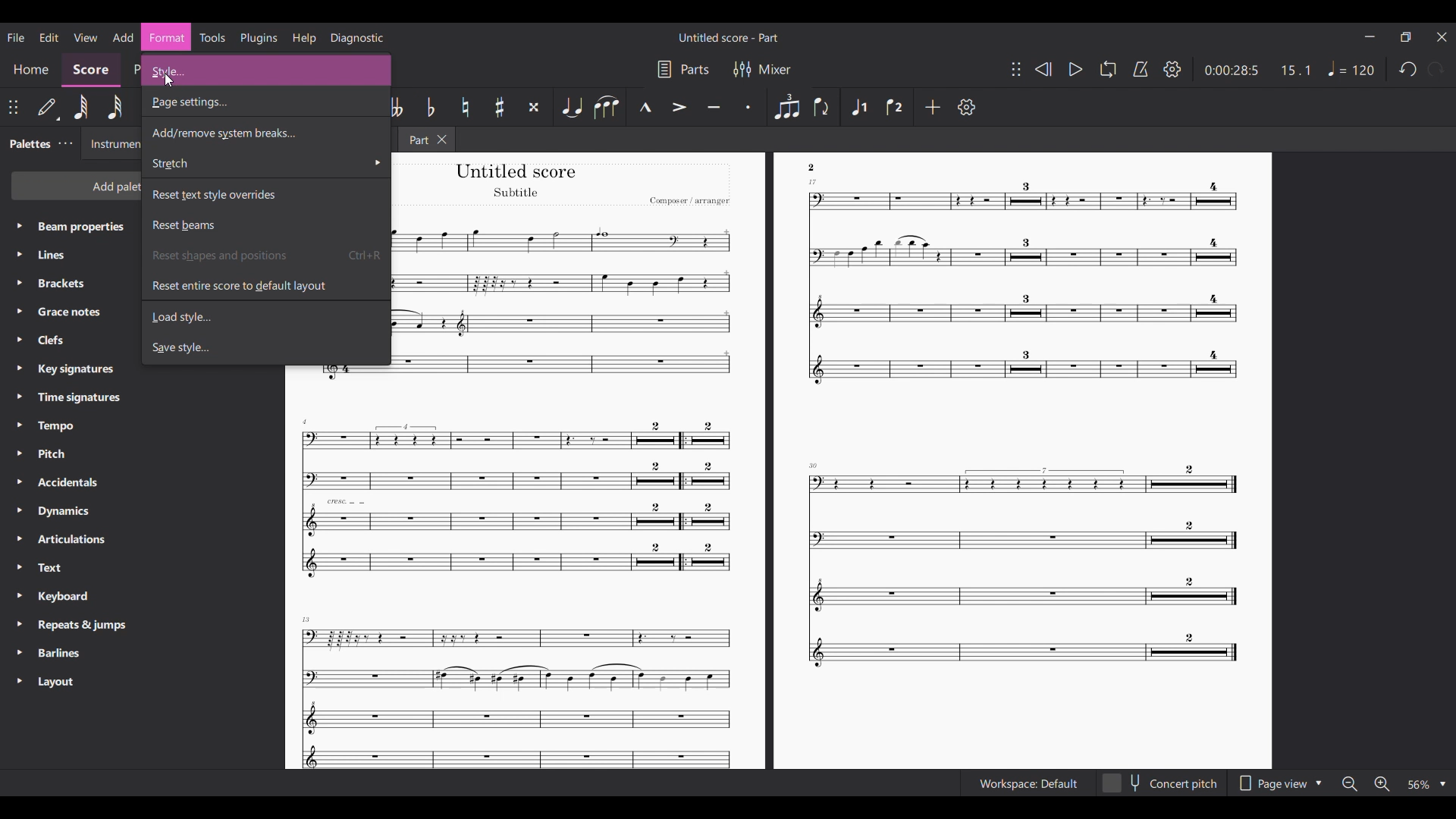 The height and width of the screenshot is (819, 1456). What do you see at coordinates (1405, 37) in the screenshot?
I see `Smaller tab` at bounding box center [1405, 37].